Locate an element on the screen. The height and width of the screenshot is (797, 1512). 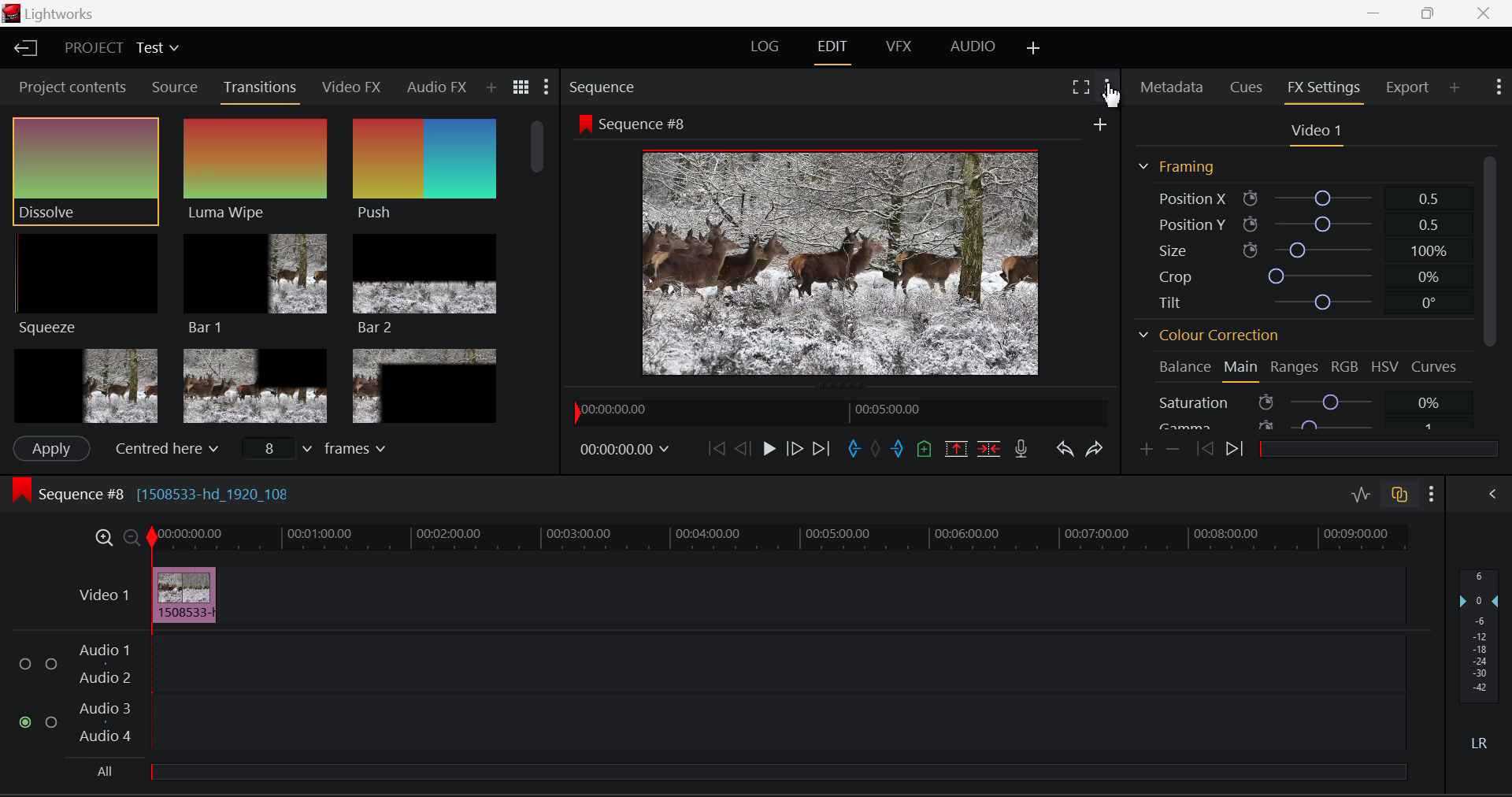
Go Back is located at coordinates (742, 448).